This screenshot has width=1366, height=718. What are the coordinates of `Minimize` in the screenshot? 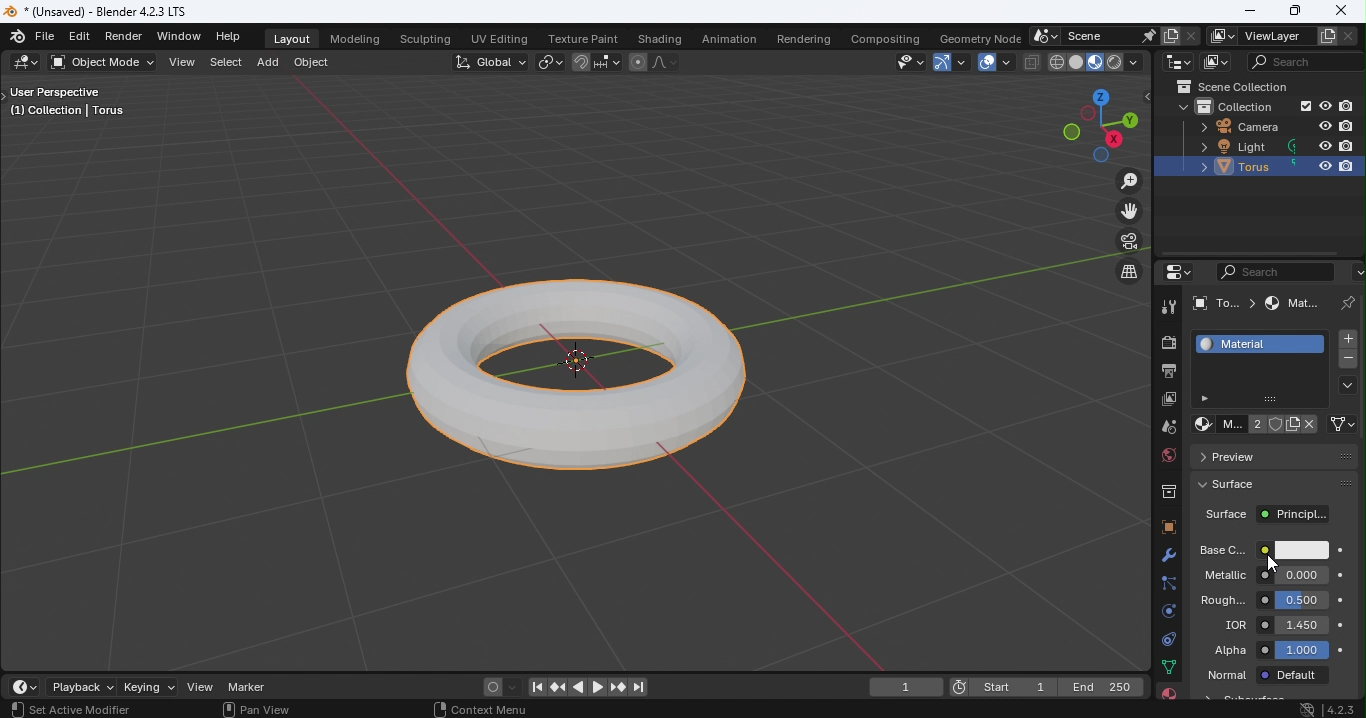 It's located at (1248, 12).